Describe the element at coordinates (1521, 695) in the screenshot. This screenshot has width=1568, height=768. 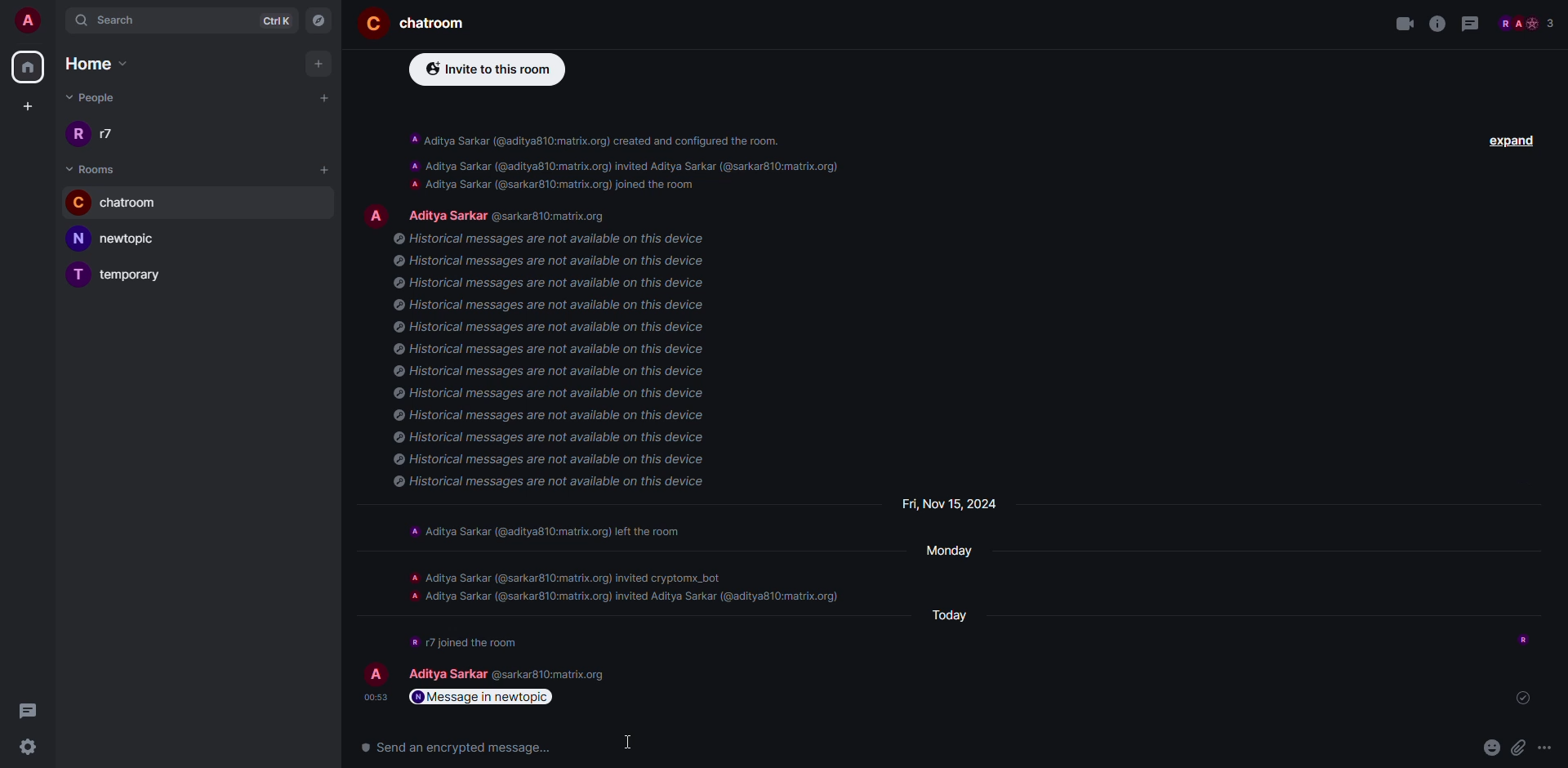
I see `seen` at that location.